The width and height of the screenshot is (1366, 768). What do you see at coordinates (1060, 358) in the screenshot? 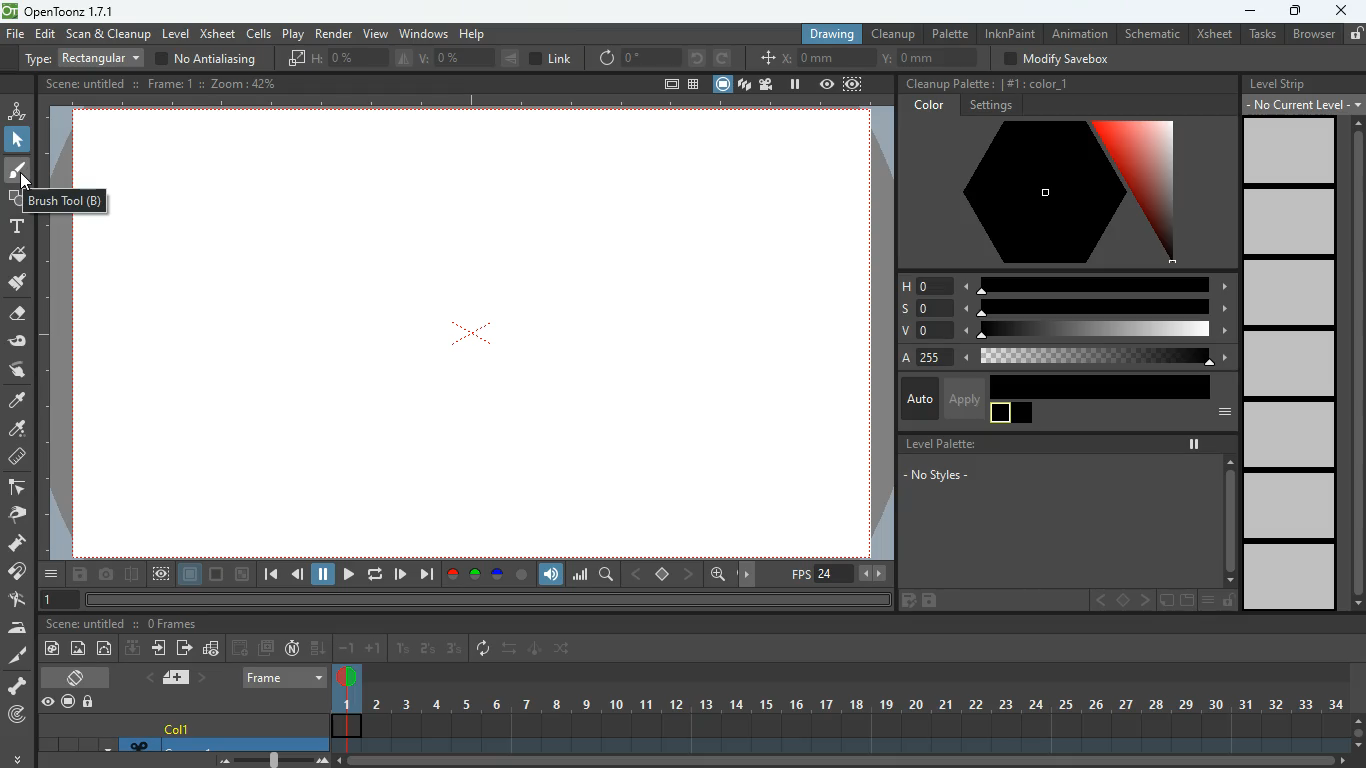
I see `a` at bounding box center [1060, 358].